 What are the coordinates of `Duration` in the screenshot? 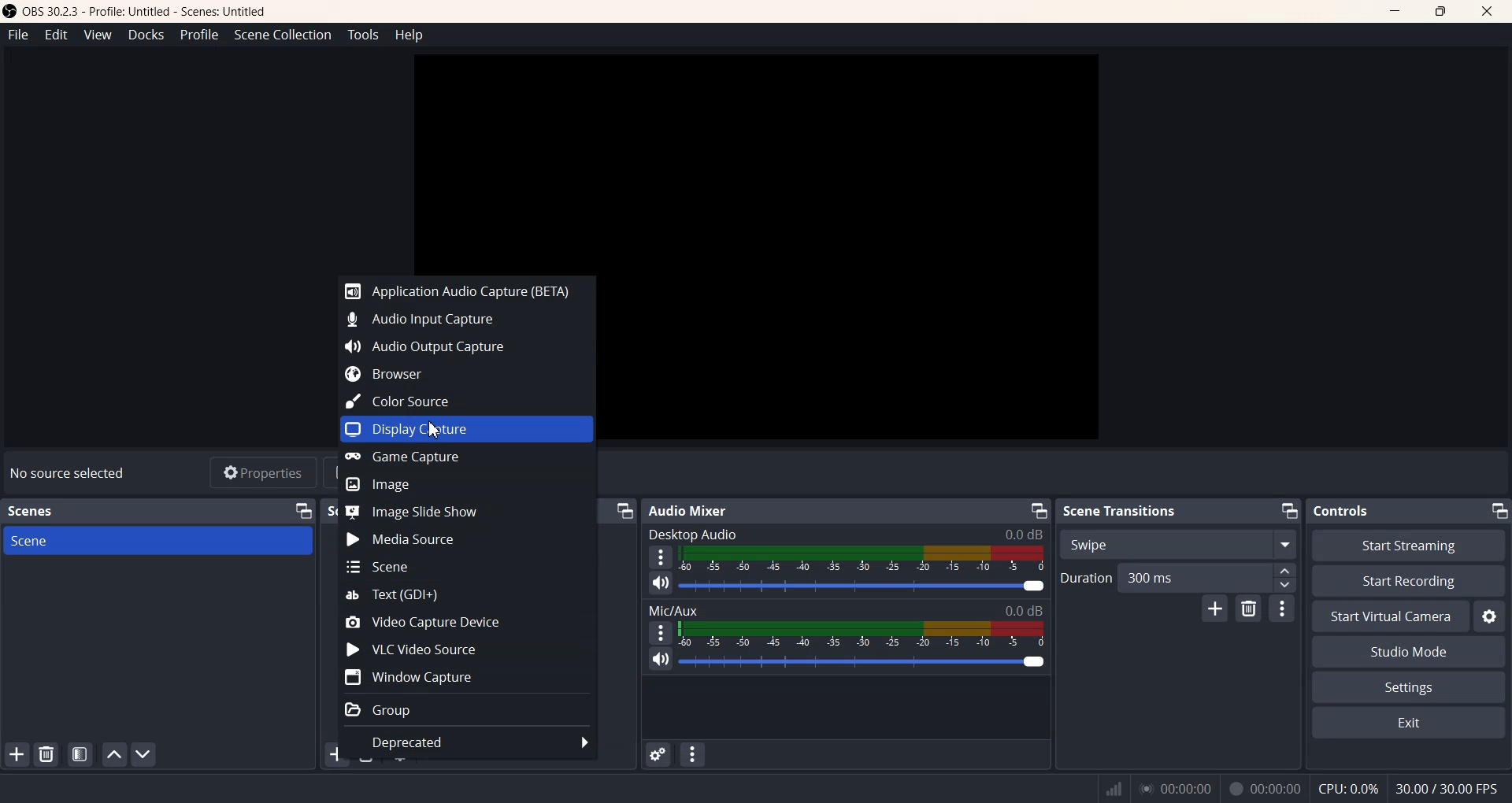 It's located at (1178, 577).